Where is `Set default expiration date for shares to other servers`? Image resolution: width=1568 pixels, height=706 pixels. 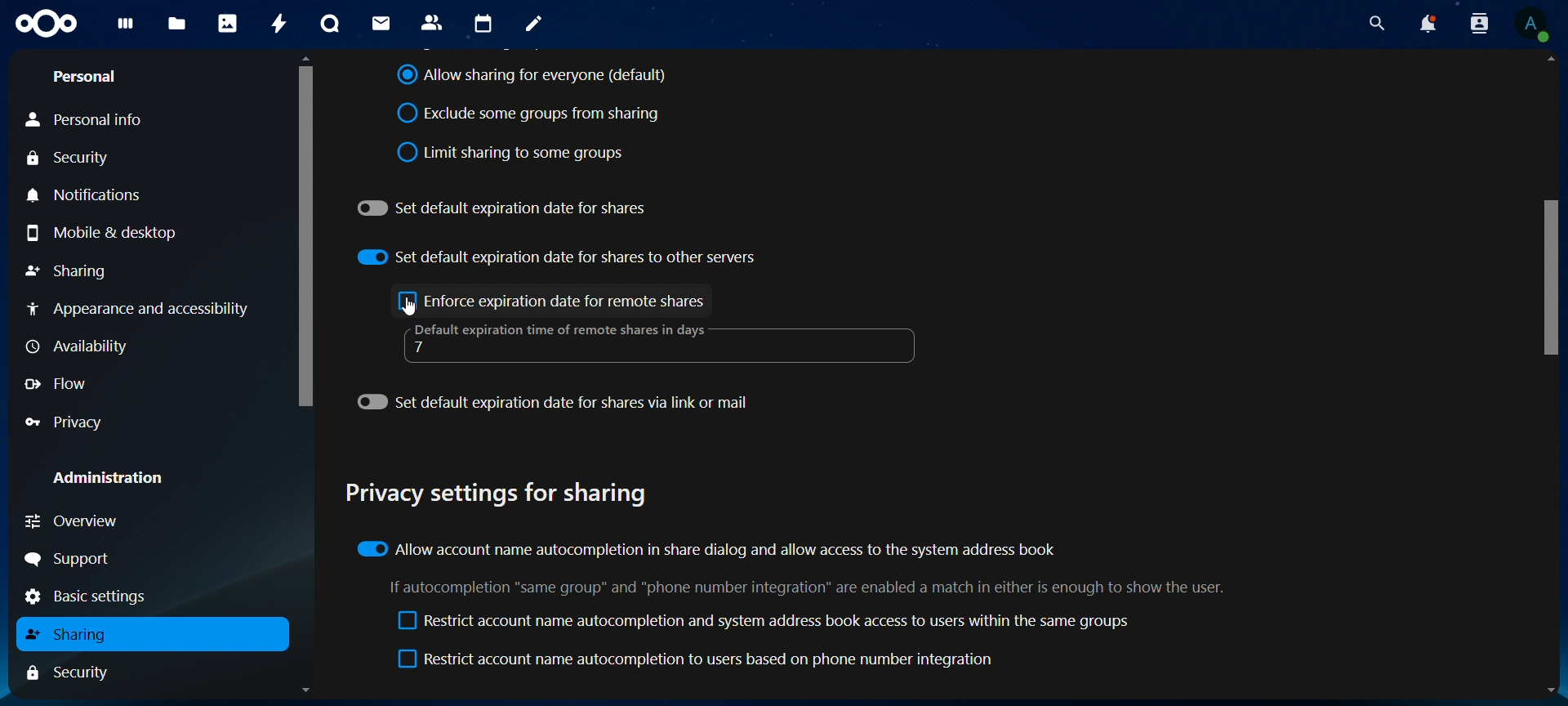 Set default expiration date for shares to other servers is located at coordinates (557, 257).